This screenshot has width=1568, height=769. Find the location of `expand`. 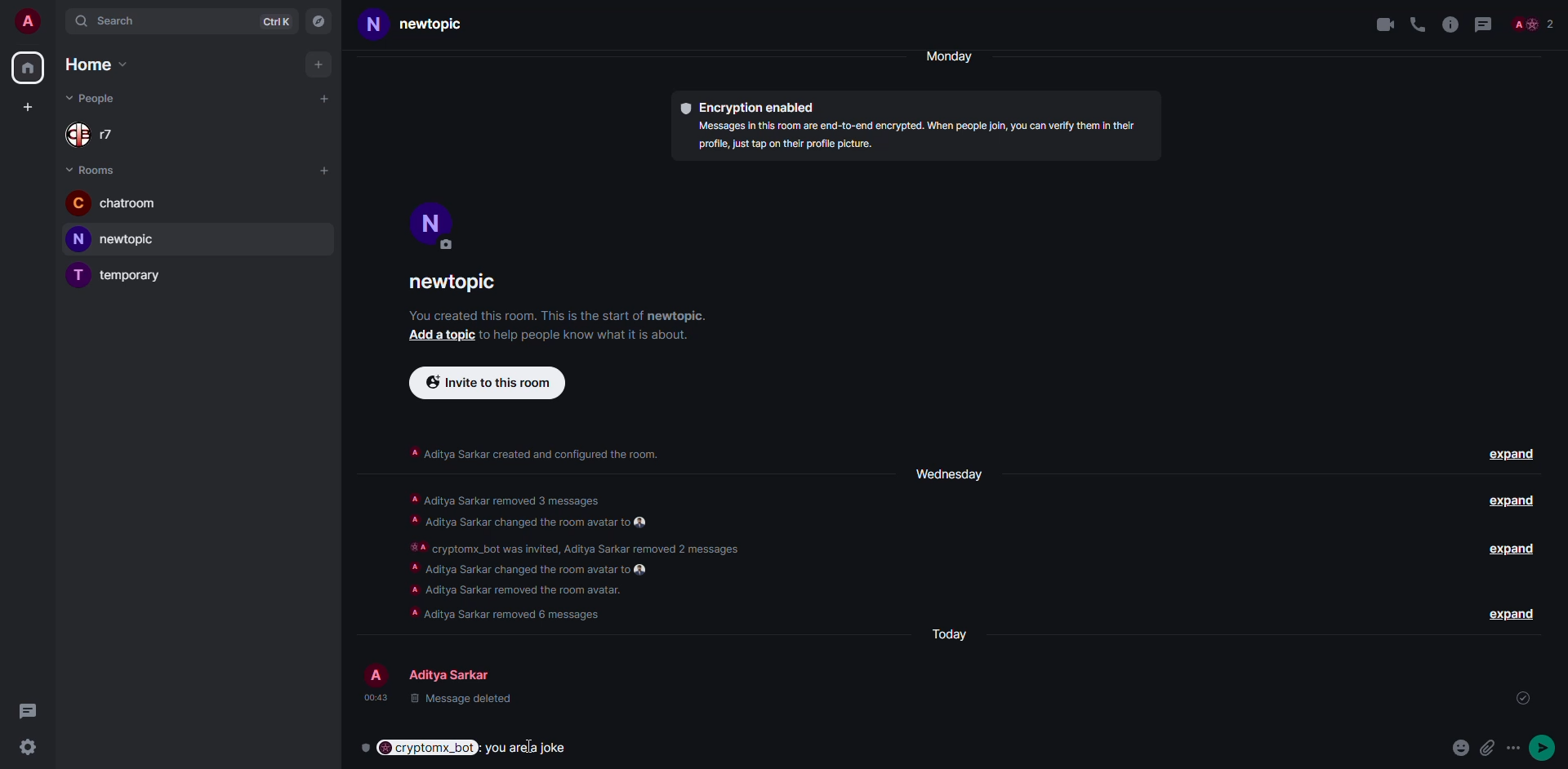

expand is located at coordinates (1512, 456).